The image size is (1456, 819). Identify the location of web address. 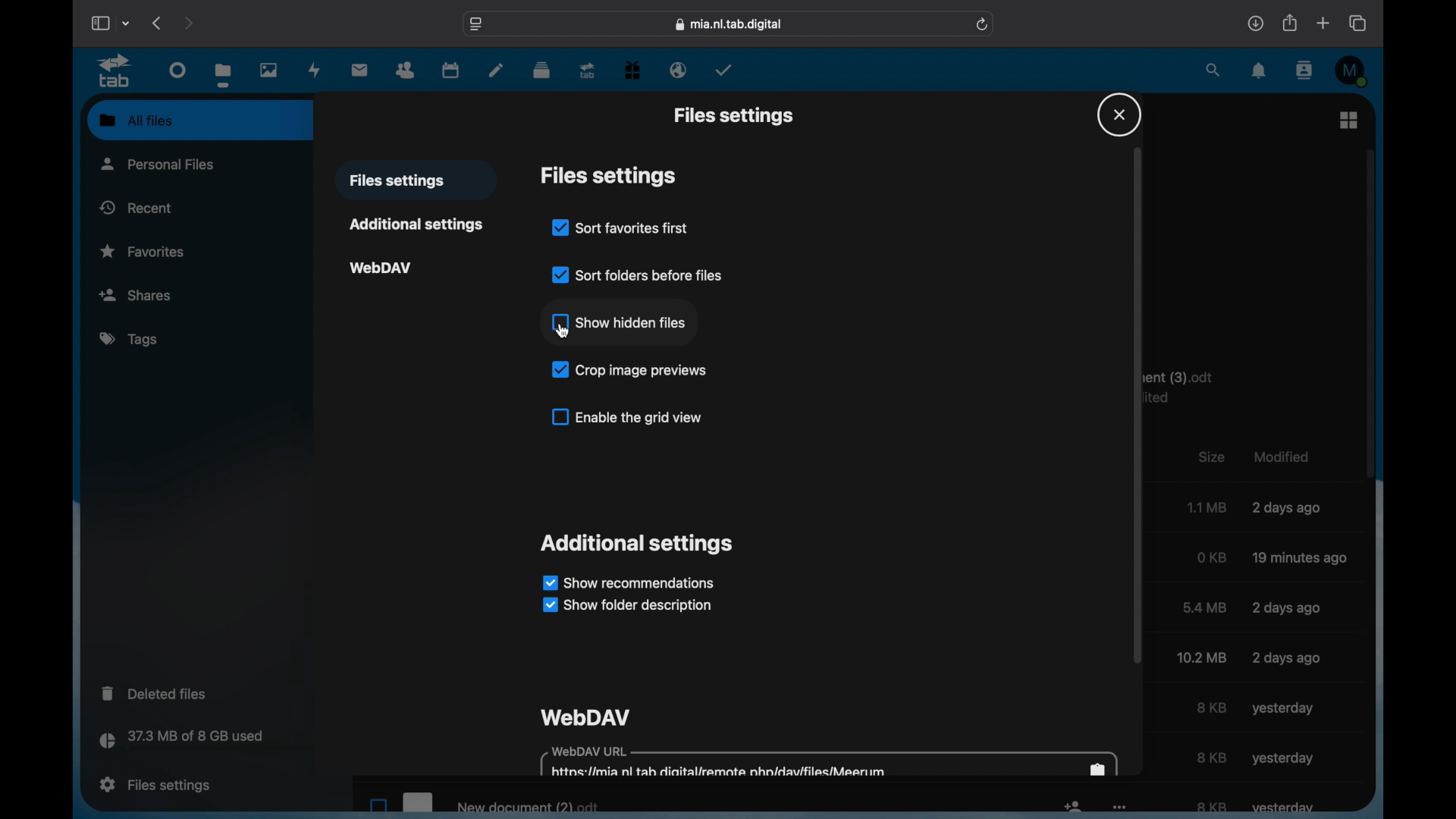
(729, 24).